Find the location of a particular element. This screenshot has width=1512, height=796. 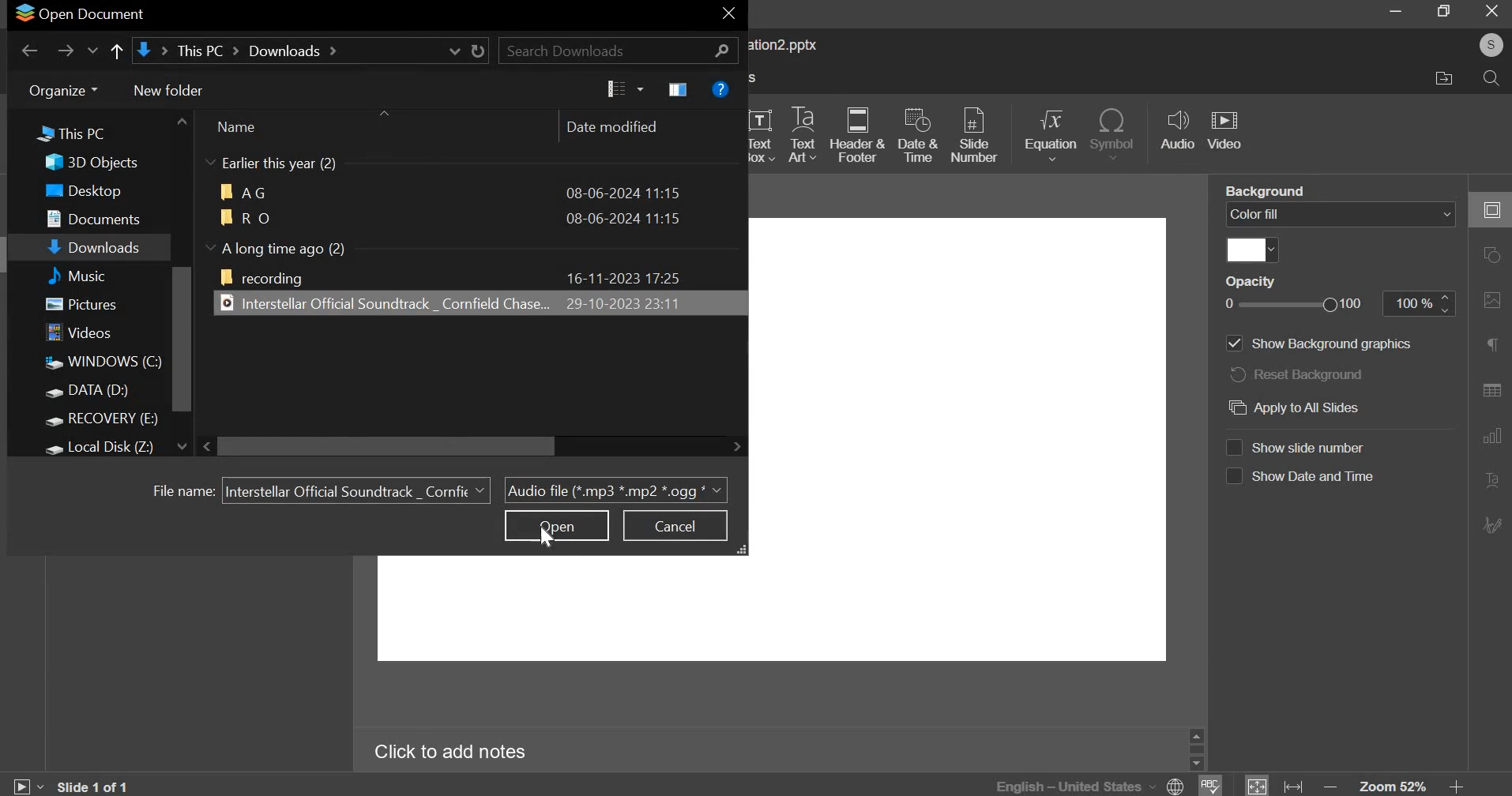

paragraph settings is located at coordinates (1491, 343).